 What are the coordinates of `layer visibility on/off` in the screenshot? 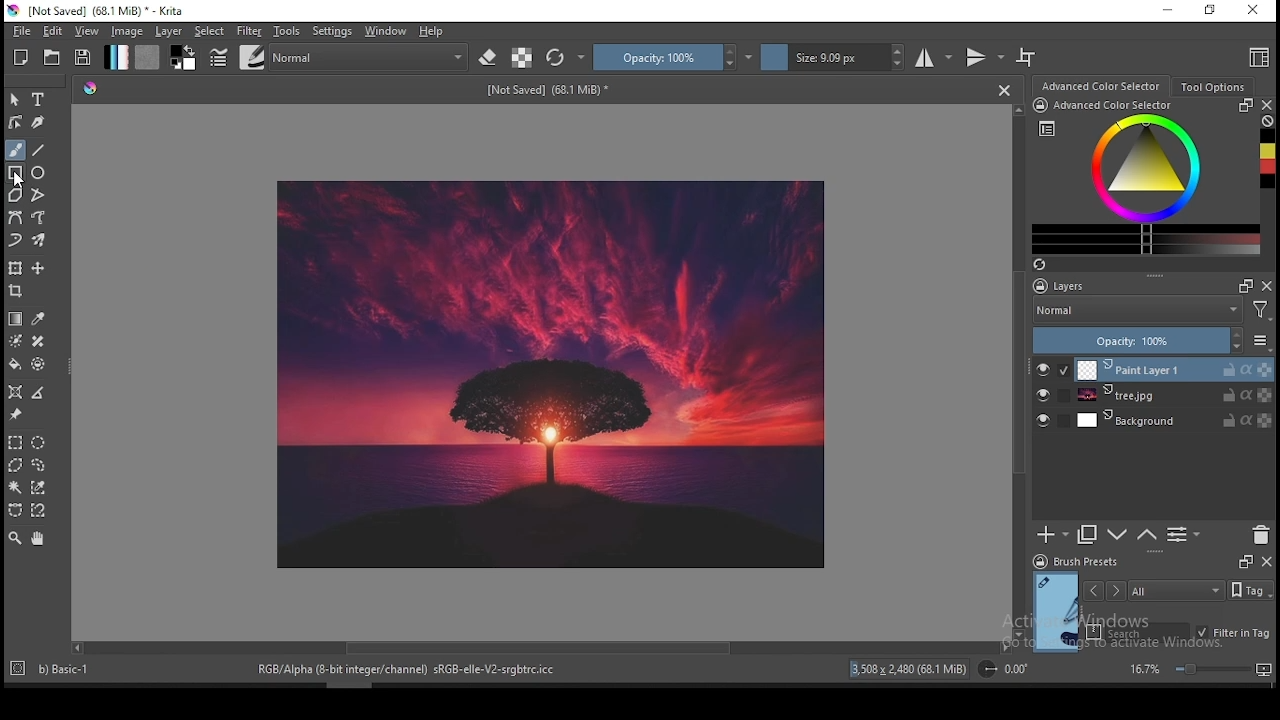 It's located at (1043, 395).